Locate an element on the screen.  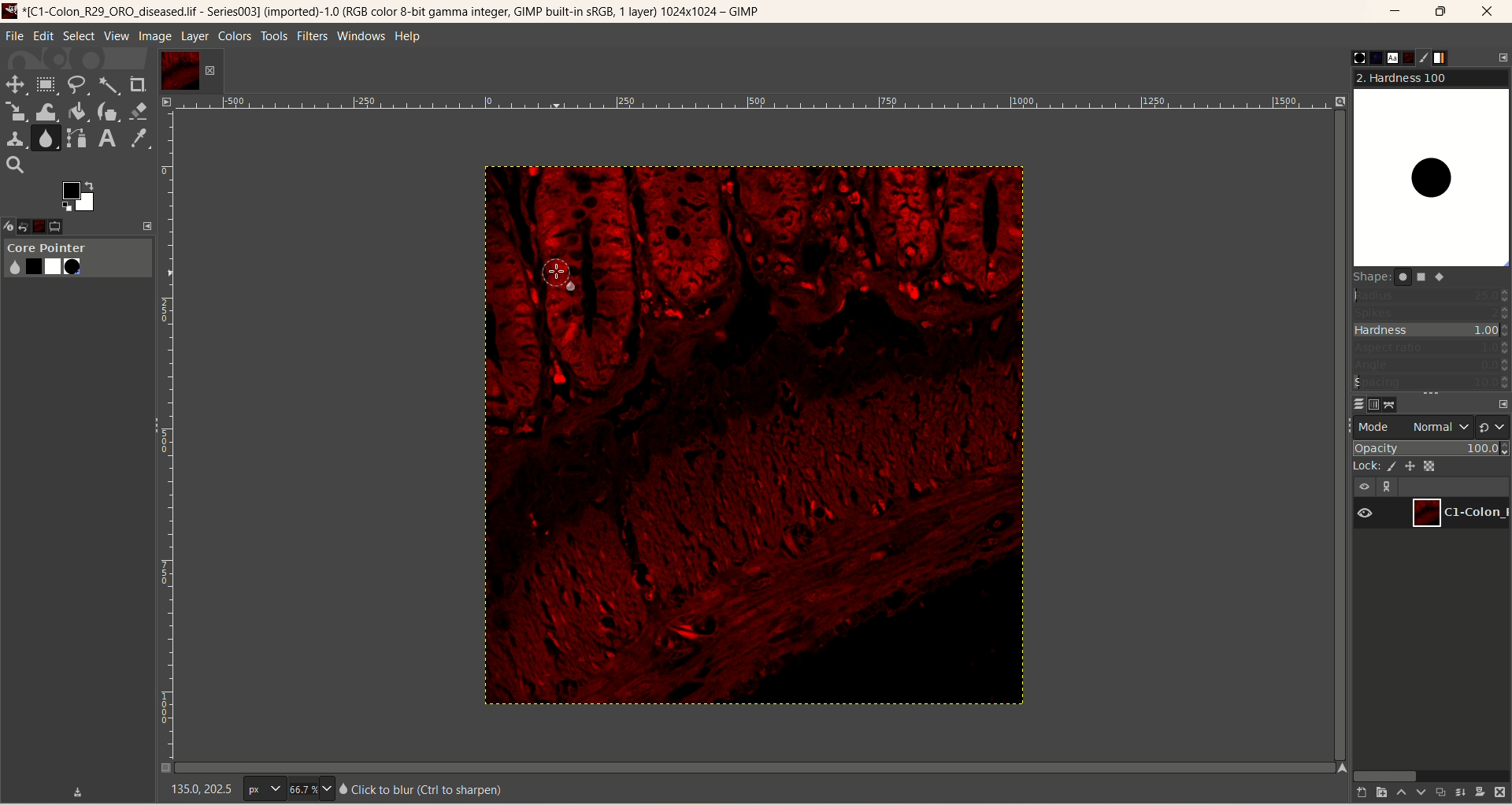
document history is located at coordinates (1407, 57).